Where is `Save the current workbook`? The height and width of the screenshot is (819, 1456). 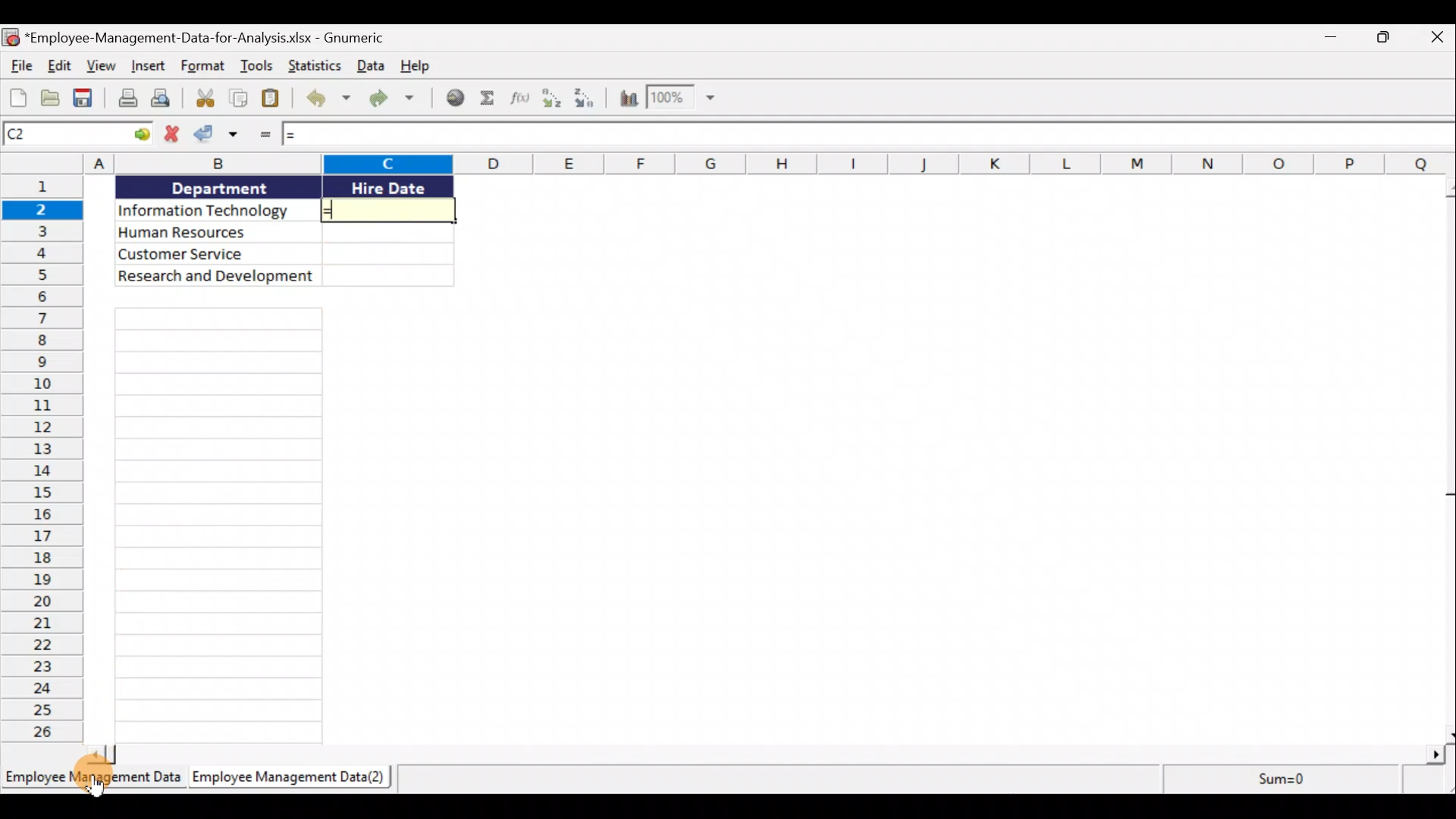 Save the current workbook is located at coordinates (86, 98).